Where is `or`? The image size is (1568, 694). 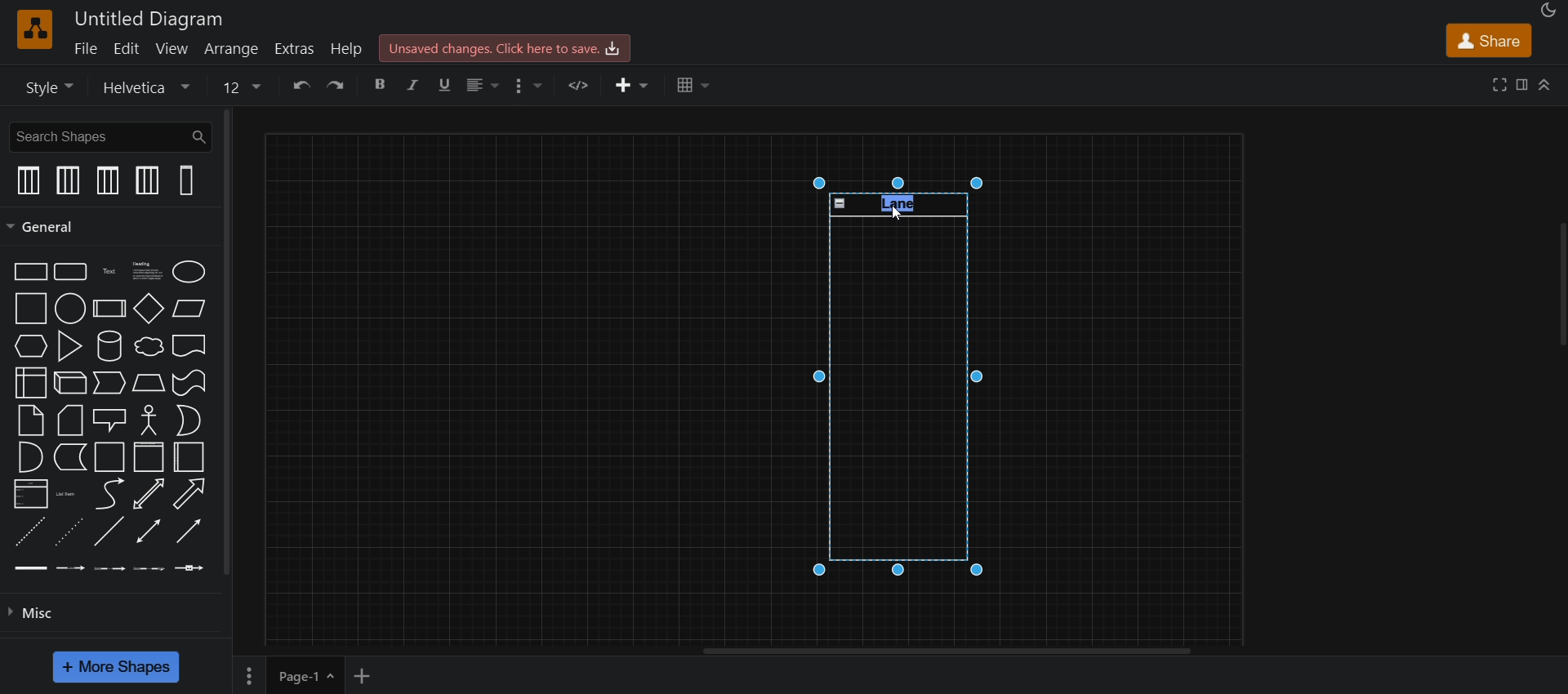
or is located at coordinates (189, 421).